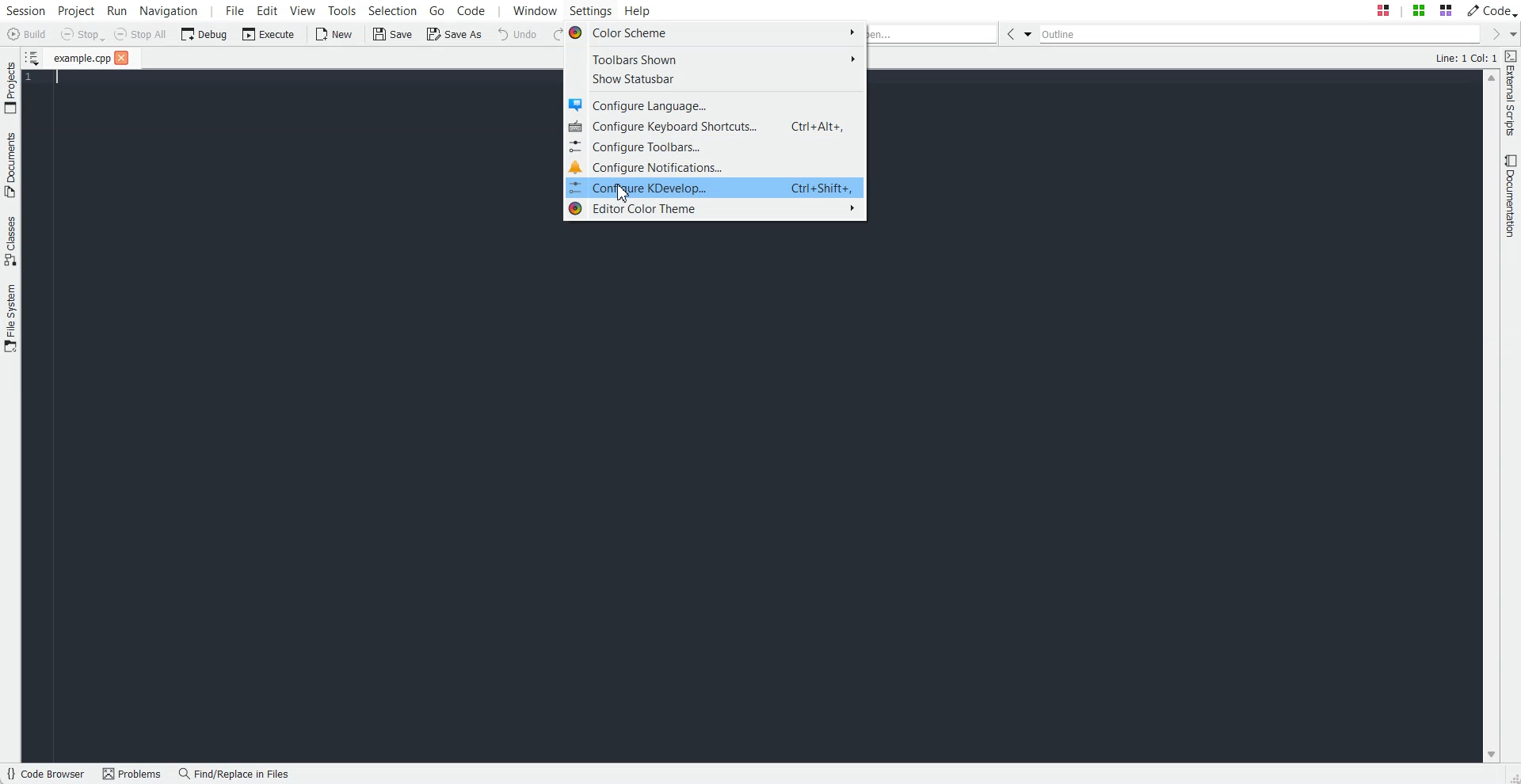 The height and width of the screenshot is (784, 1521). I want to click on Text Cursor, so click(51, 78).